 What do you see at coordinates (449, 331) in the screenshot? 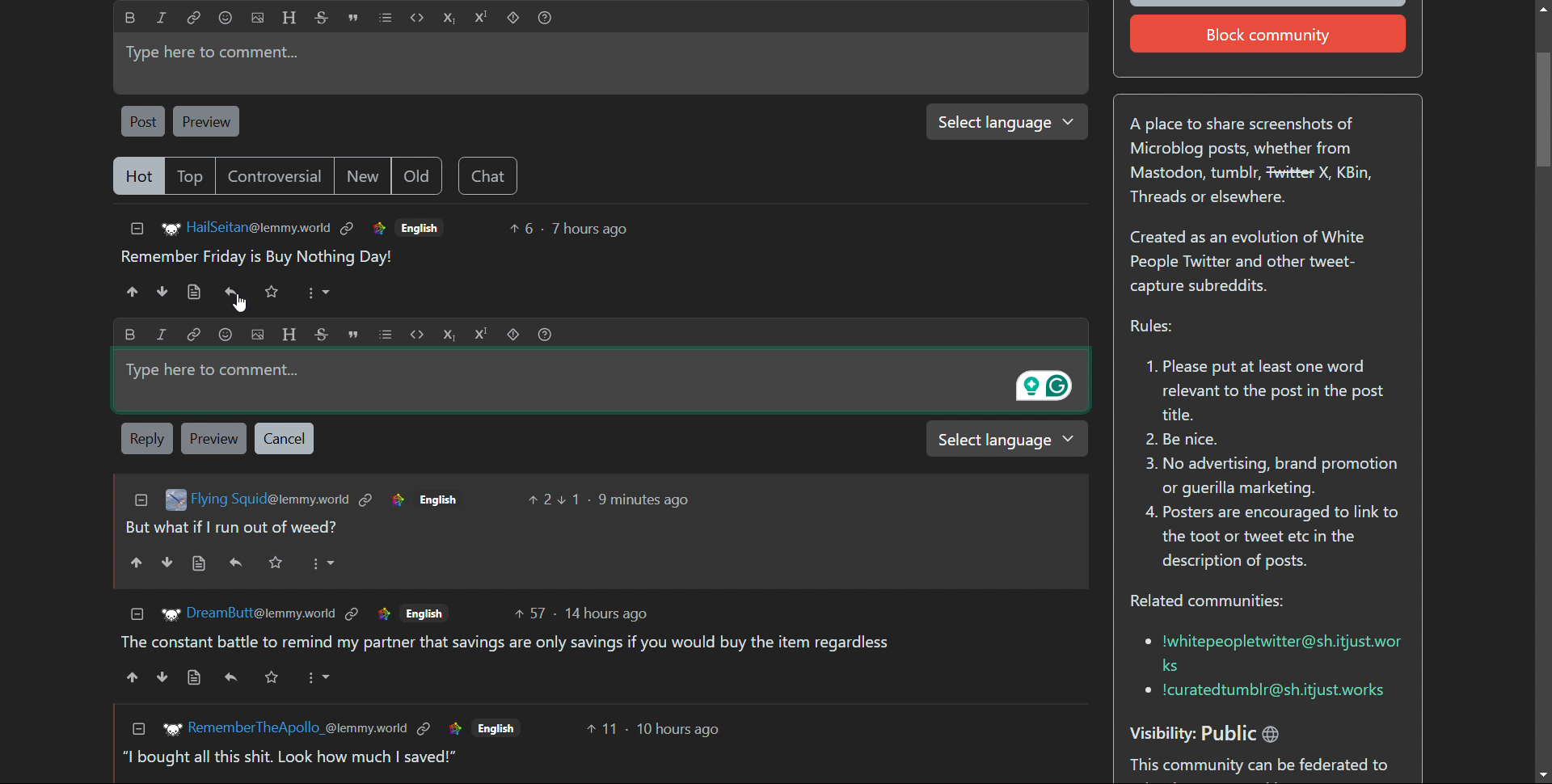
I see `subscript` at bounding box center [449, 331].